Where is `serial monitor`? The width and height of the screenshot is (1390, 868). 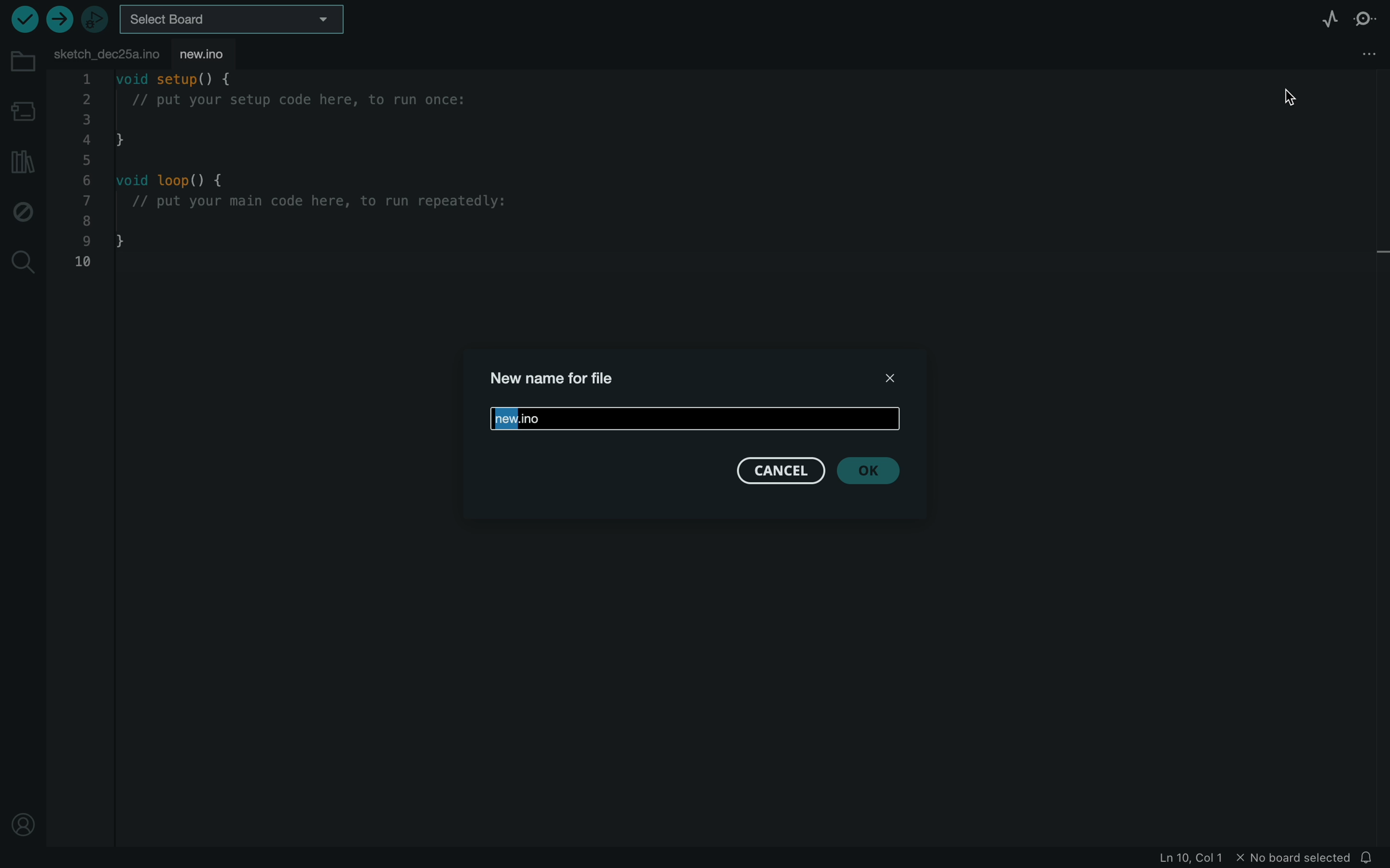
serial monitor is located at coordinates (1364, 20).